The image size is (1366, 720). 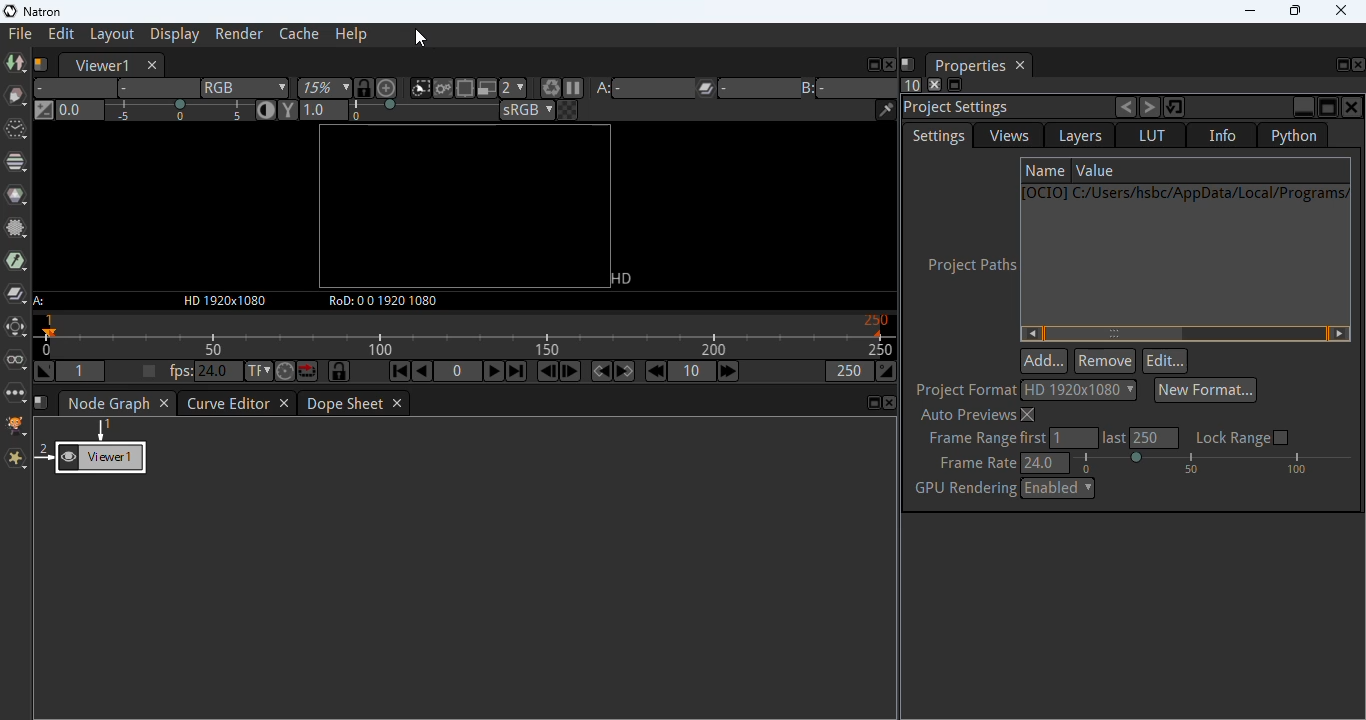 I want to click on new format, so click(x=1209, y=390).